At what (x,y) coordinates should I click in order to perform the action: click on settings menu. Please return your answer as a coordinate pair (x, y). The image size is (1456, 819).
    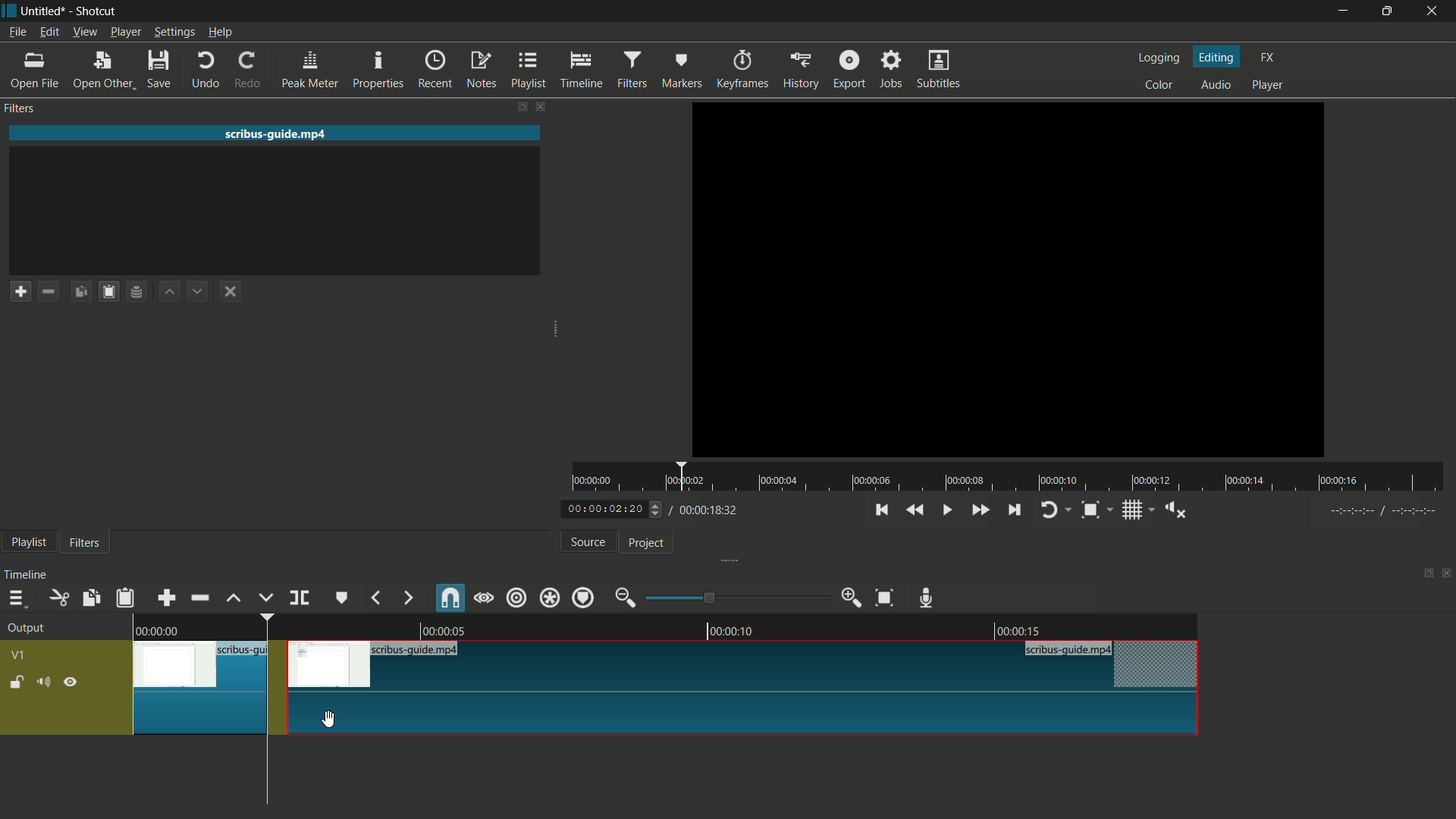
    Looking at the image, I should click on (172, 32).